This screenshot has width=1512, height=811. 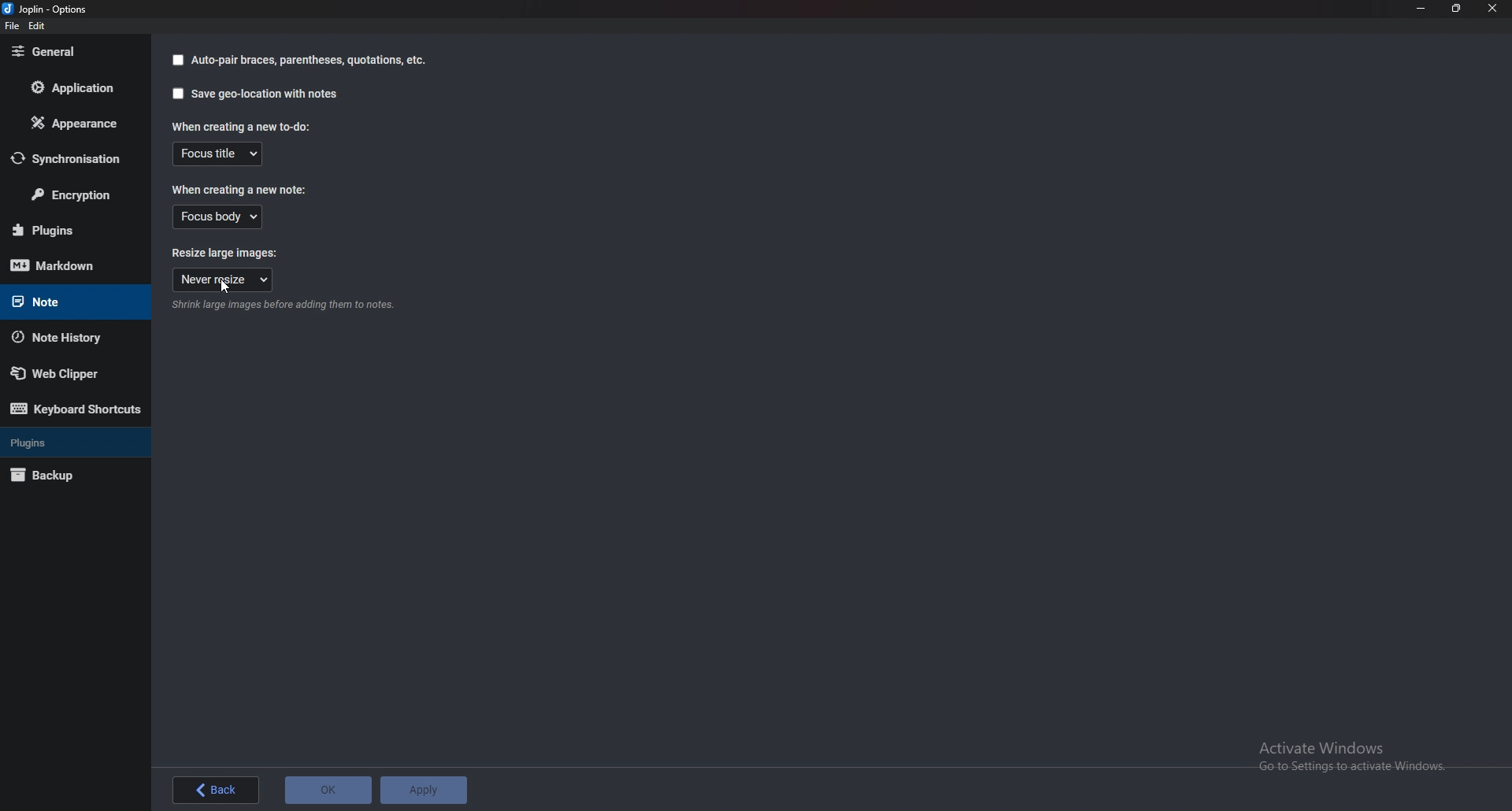 I want to click on Backup, so click(x=65, y=476).